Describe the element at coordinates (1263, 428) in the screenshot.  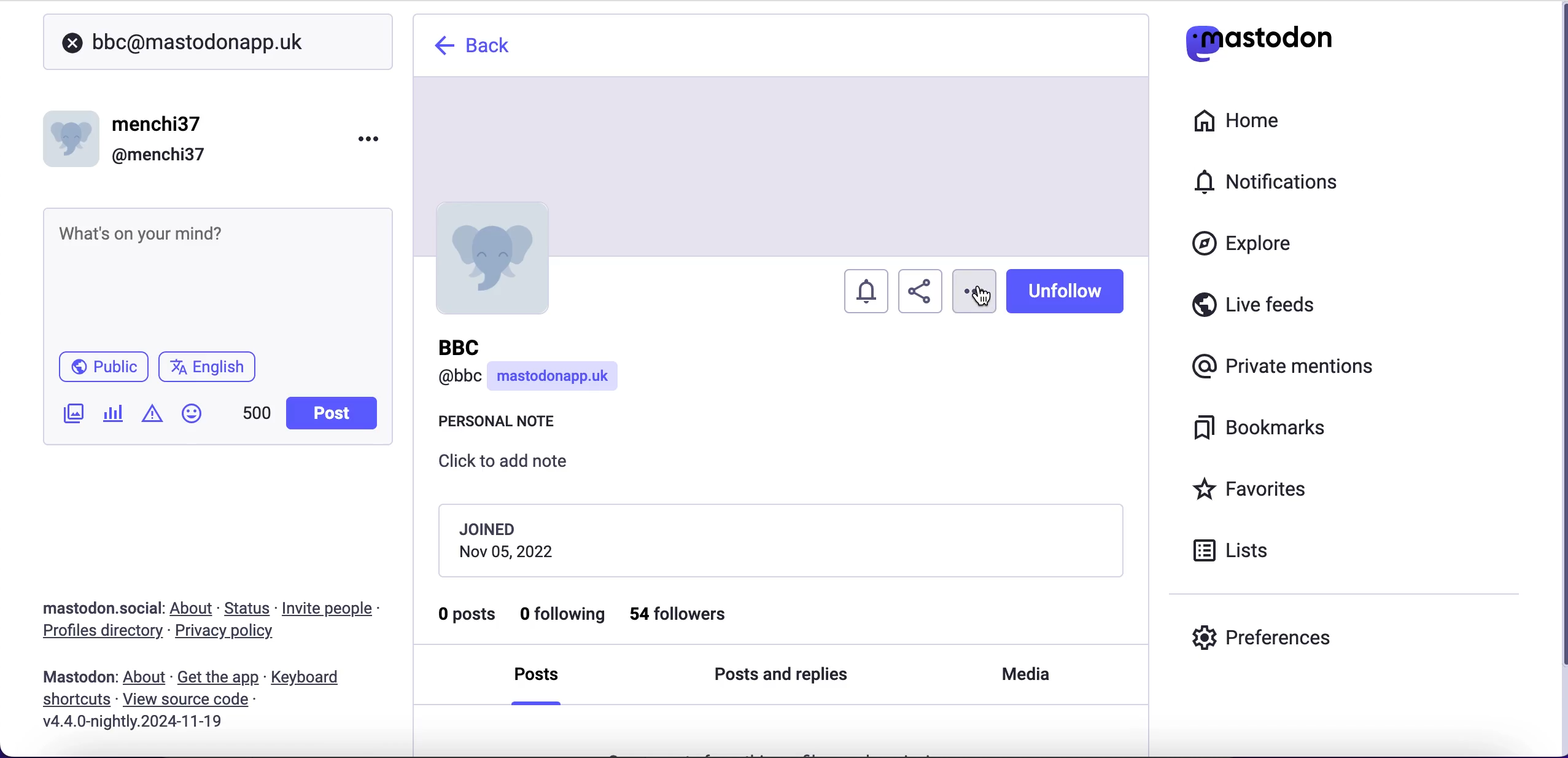
I see `bookmarks` at that location.